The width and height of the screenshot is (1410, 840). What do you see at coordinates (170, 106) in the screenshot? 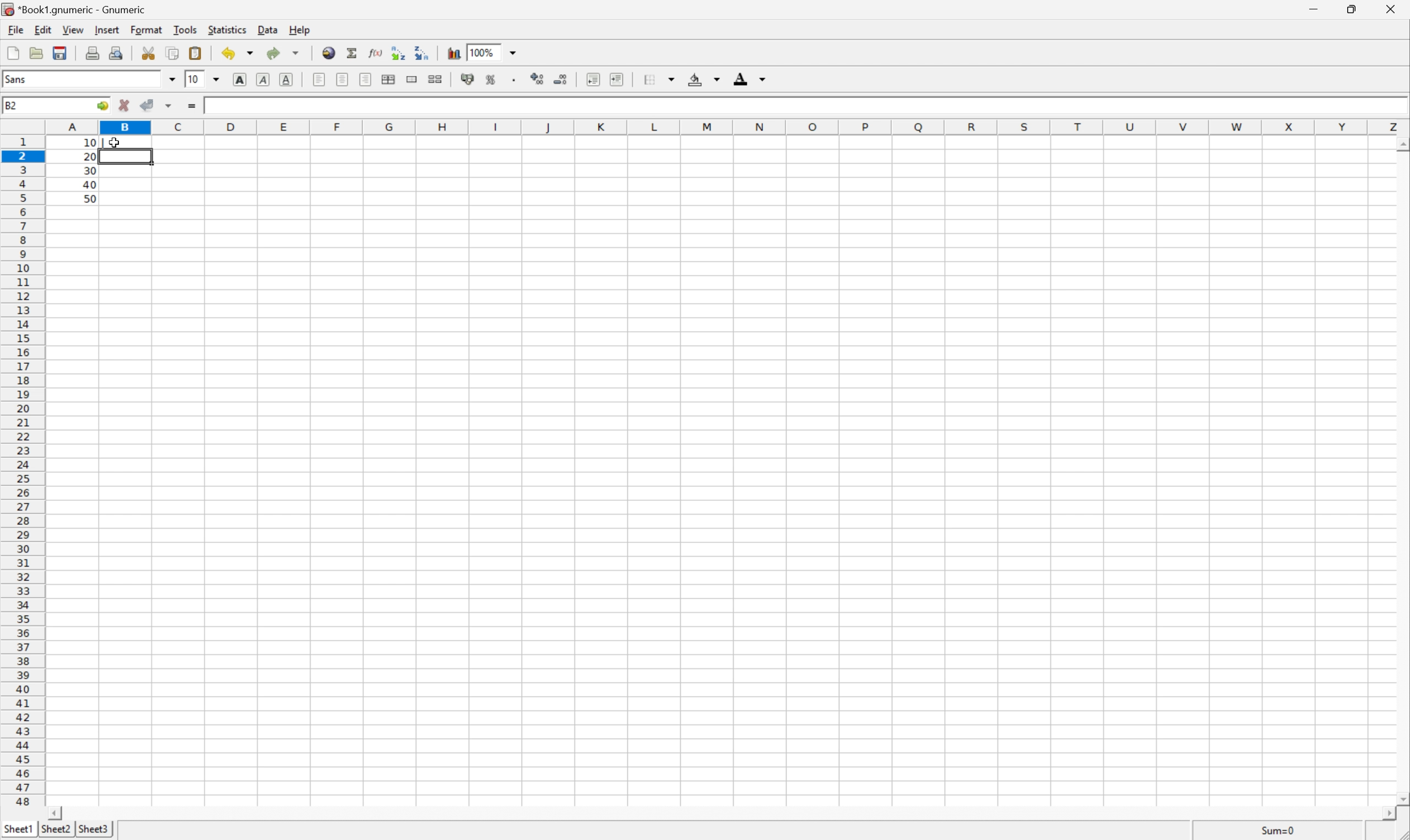
I see `Accept changes in multiple cells` at bounding box center [170, 106].